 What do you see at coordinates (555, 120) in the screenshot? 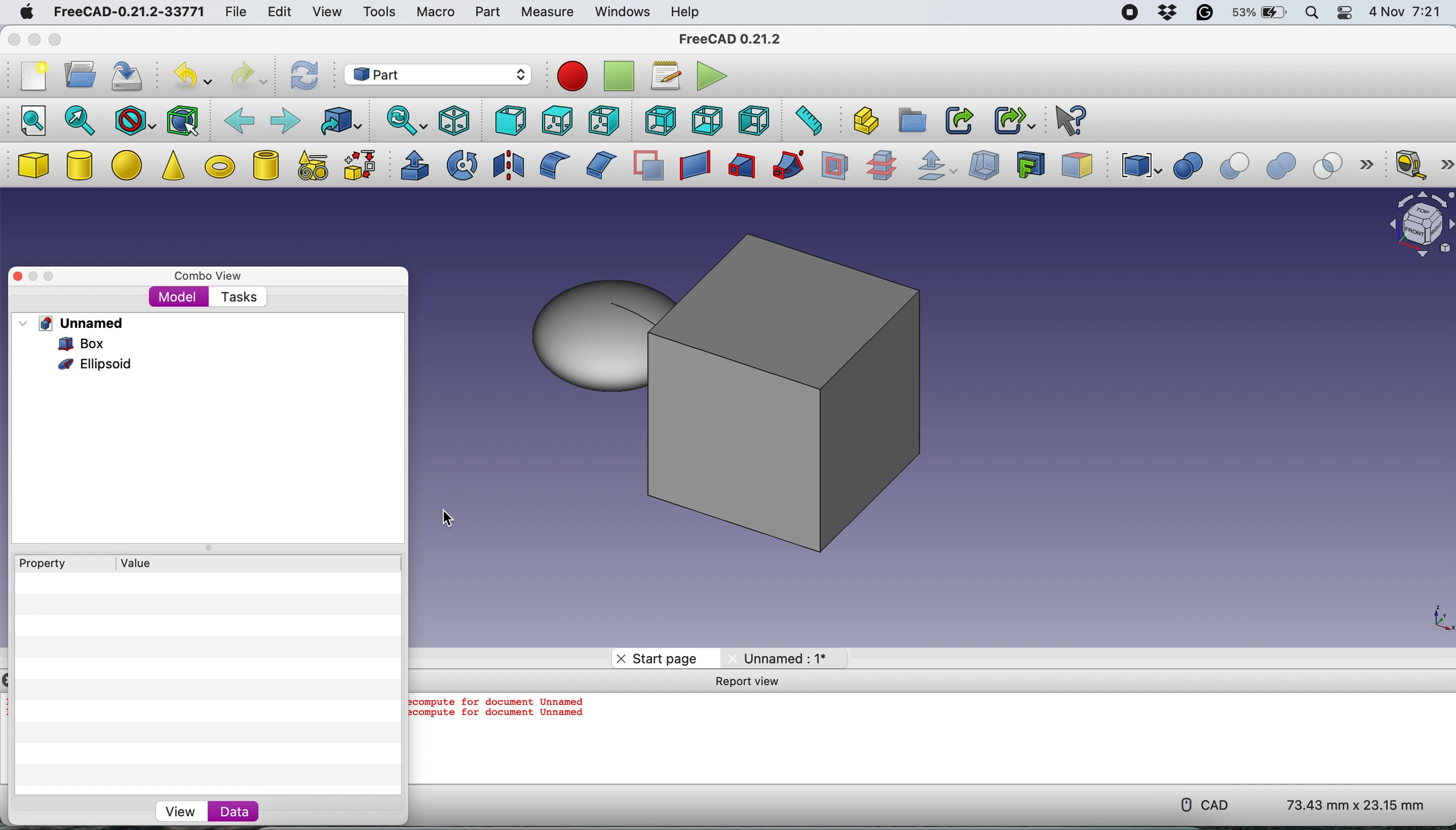
I see `top` at bounding box center [555, 120].